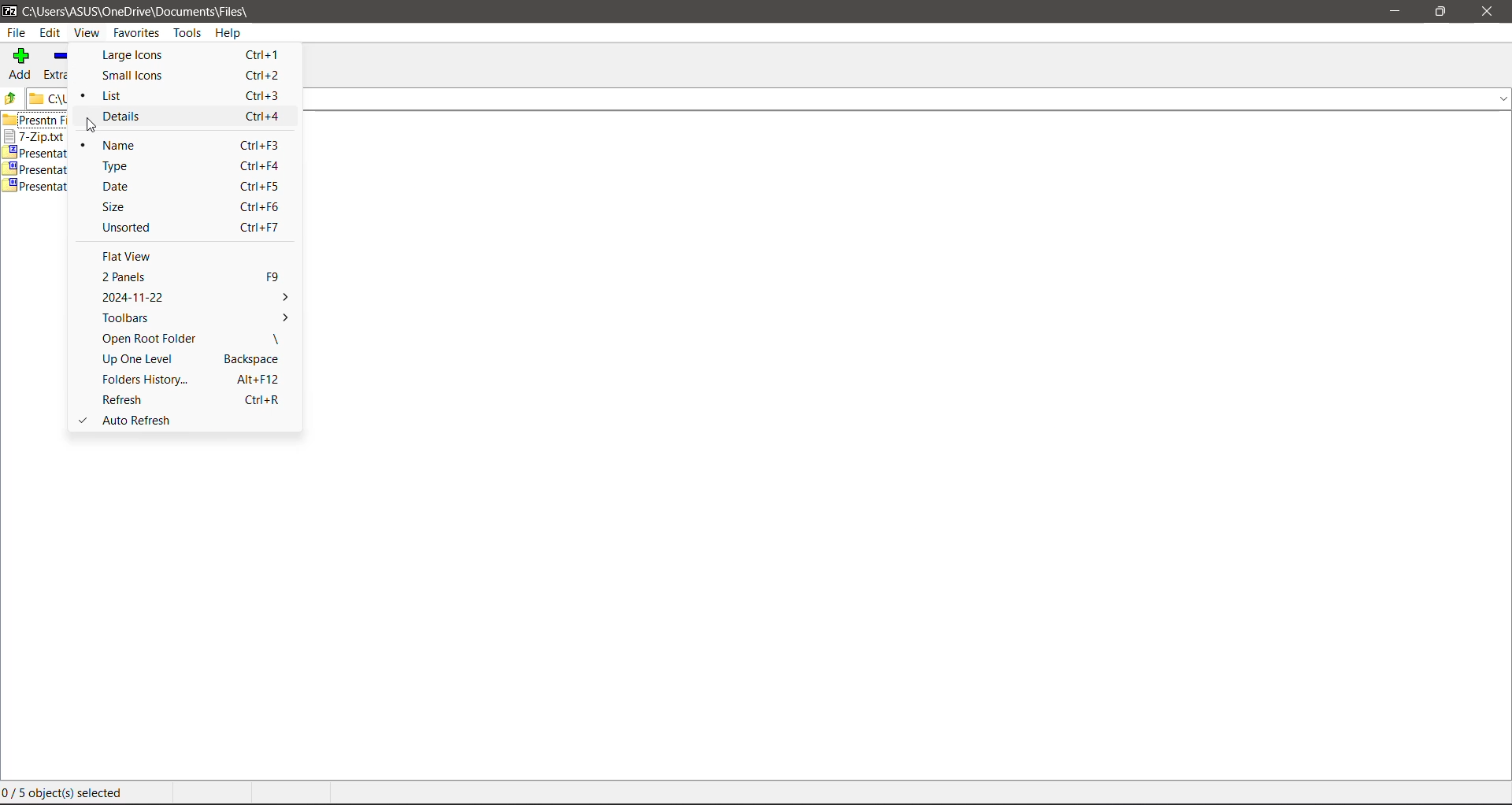 The height and width of the screenshot is (805, 1512). Describe the element at coordinates (55, 98) in the screenshot. I see `file path` at that location.